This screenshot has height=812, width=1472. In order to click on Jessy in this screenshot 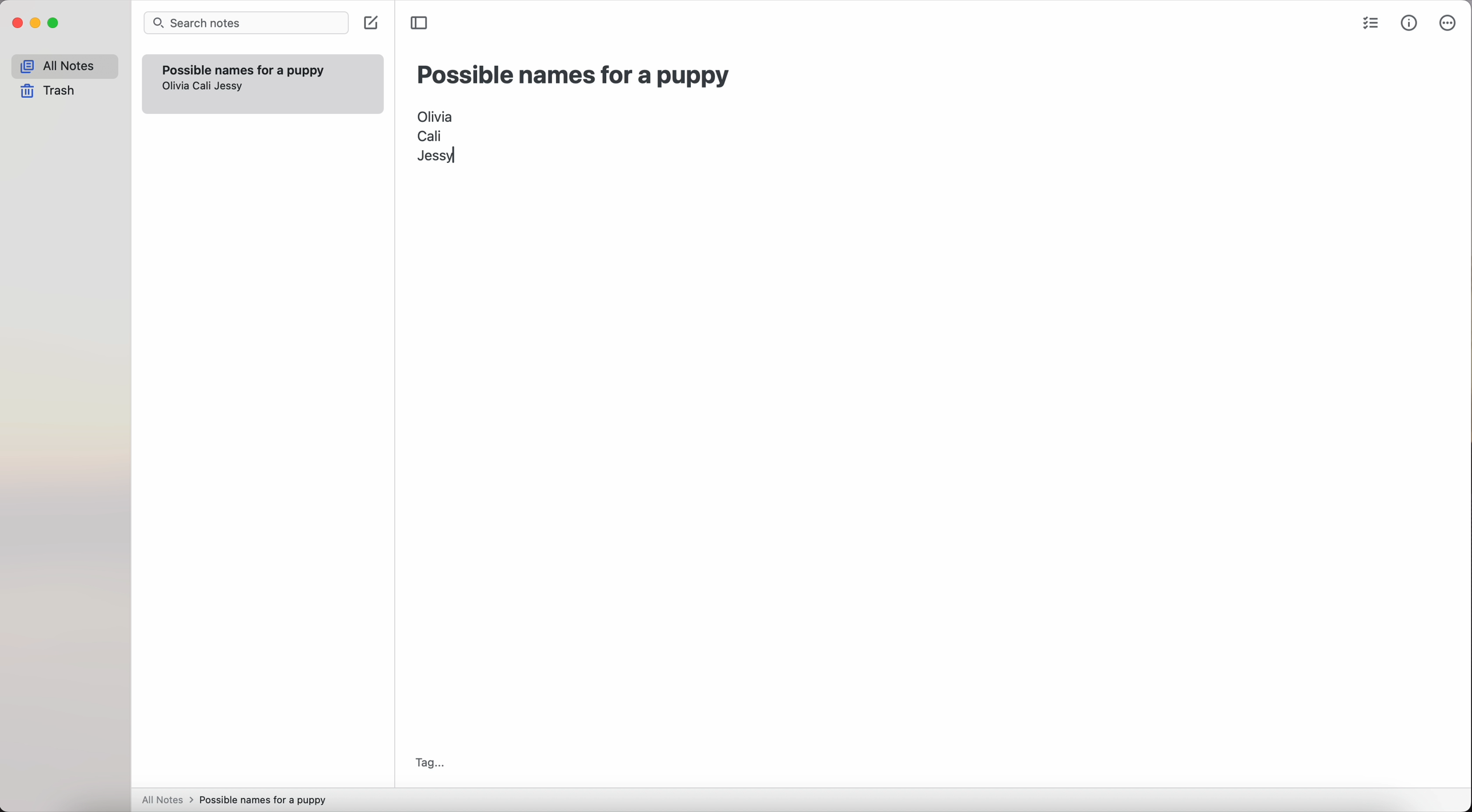, I will do `click(229, 86)`.